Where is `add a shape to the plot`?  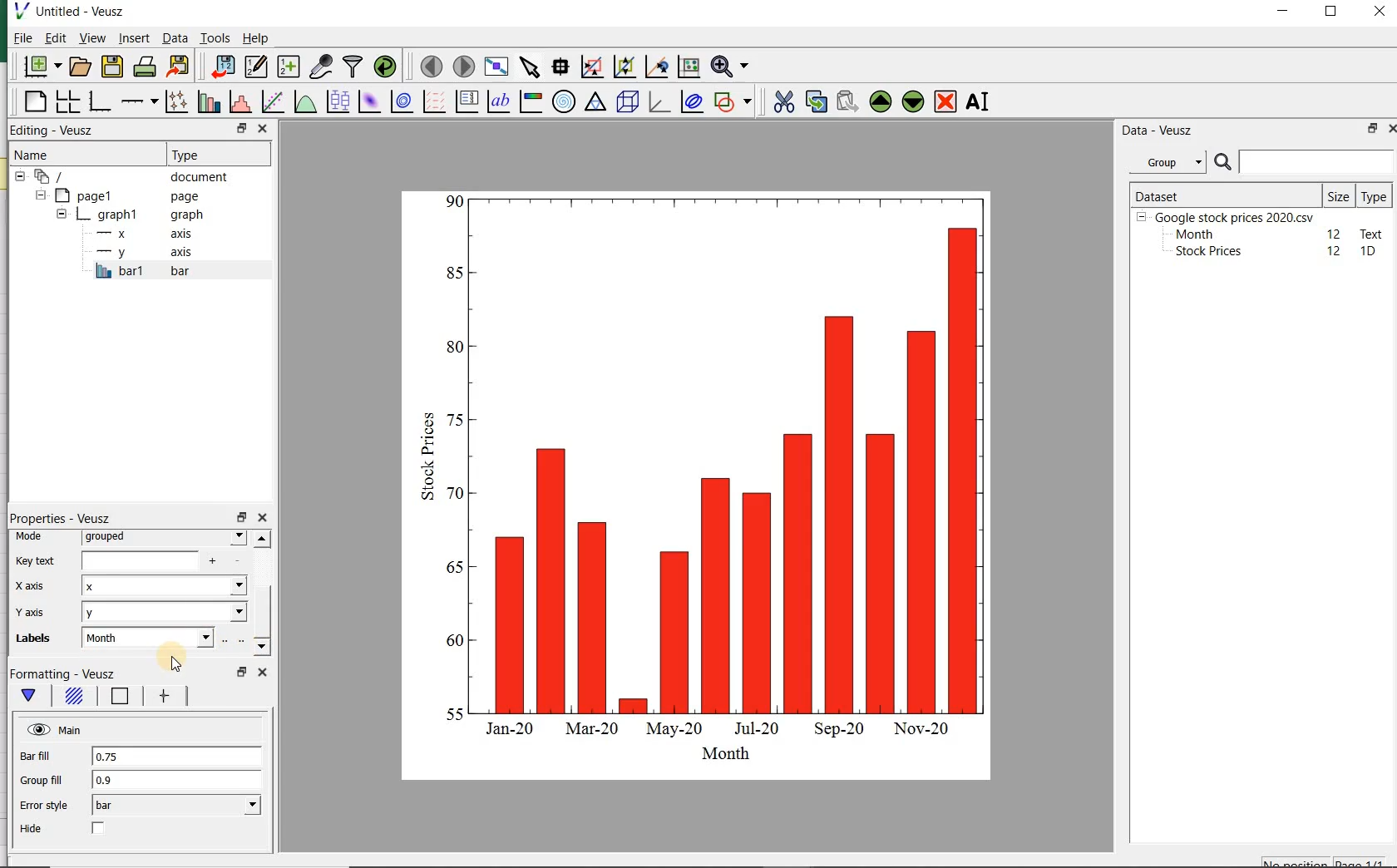
add a shape to the plot is located at coordinates (733, 102).